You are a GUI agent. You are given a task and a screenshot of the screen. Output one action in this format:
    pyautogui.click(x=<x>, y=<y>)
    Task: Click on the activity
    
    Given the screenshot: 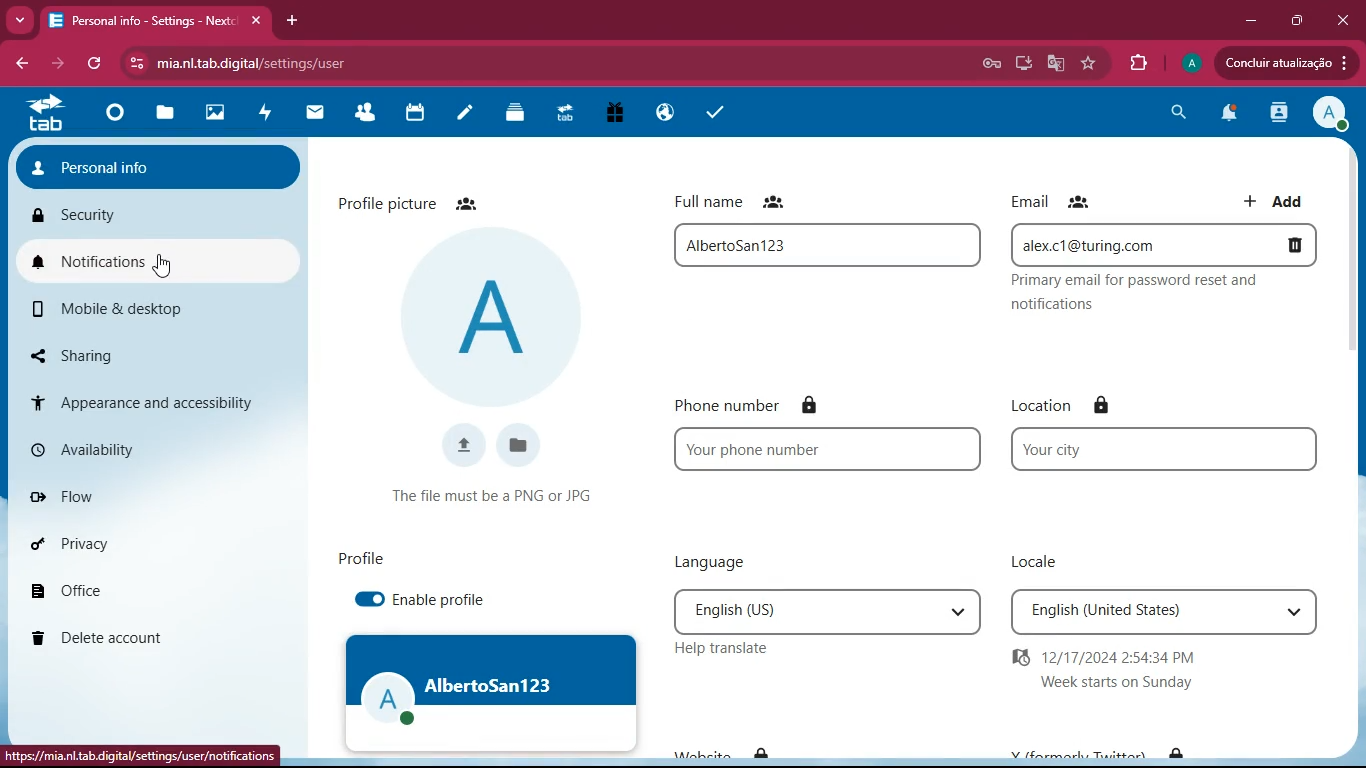 What is the action you would take?
    pyautogui.click(x=262, y=112)
    